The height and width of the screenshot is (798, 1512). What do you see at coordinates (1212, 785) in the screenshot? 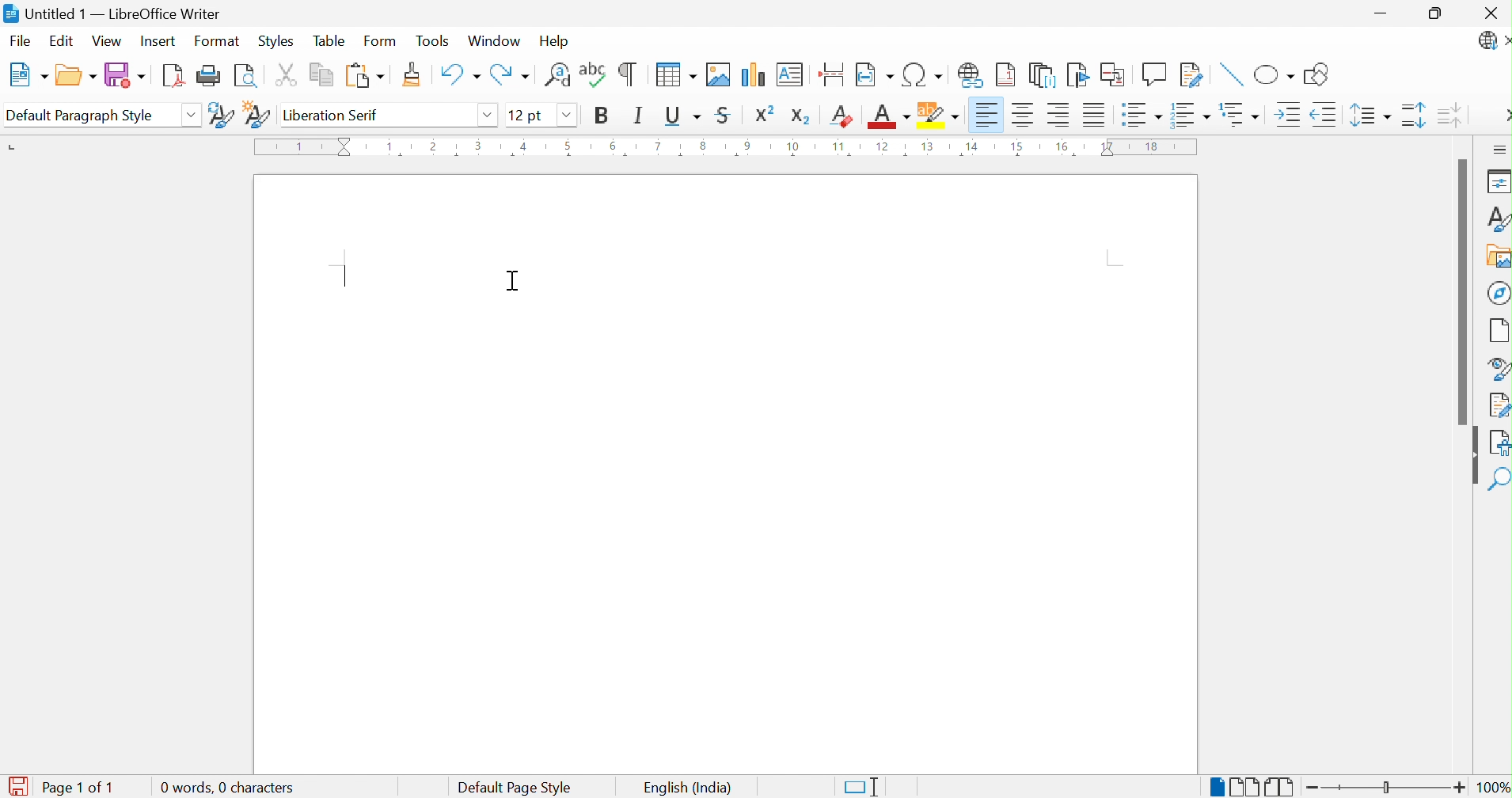
I see `Single-page View` at bounding box center [1212, 785].